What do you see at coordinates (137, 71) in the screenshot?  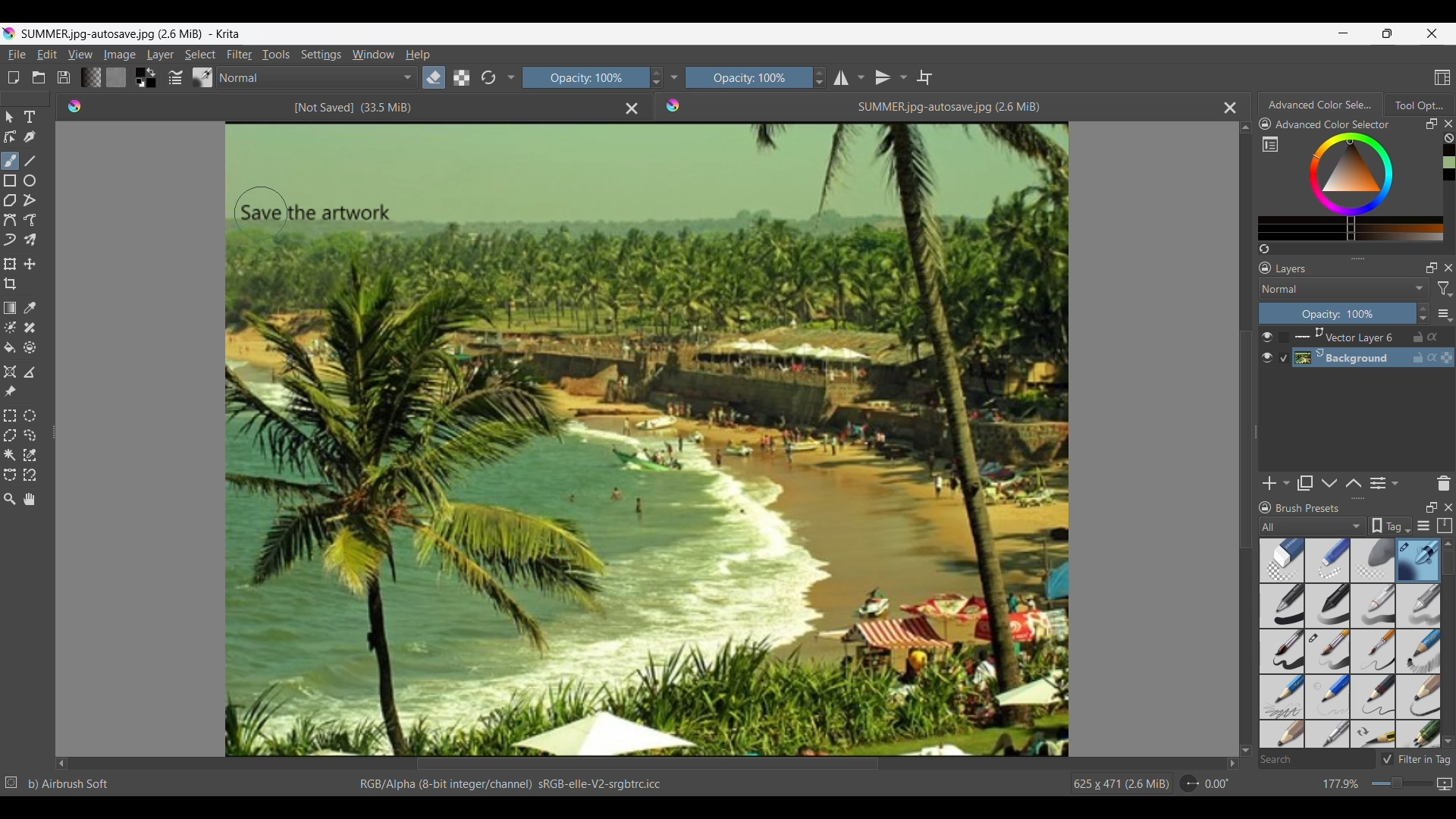 I see `Foreground color` at bounding box center [137, 71].